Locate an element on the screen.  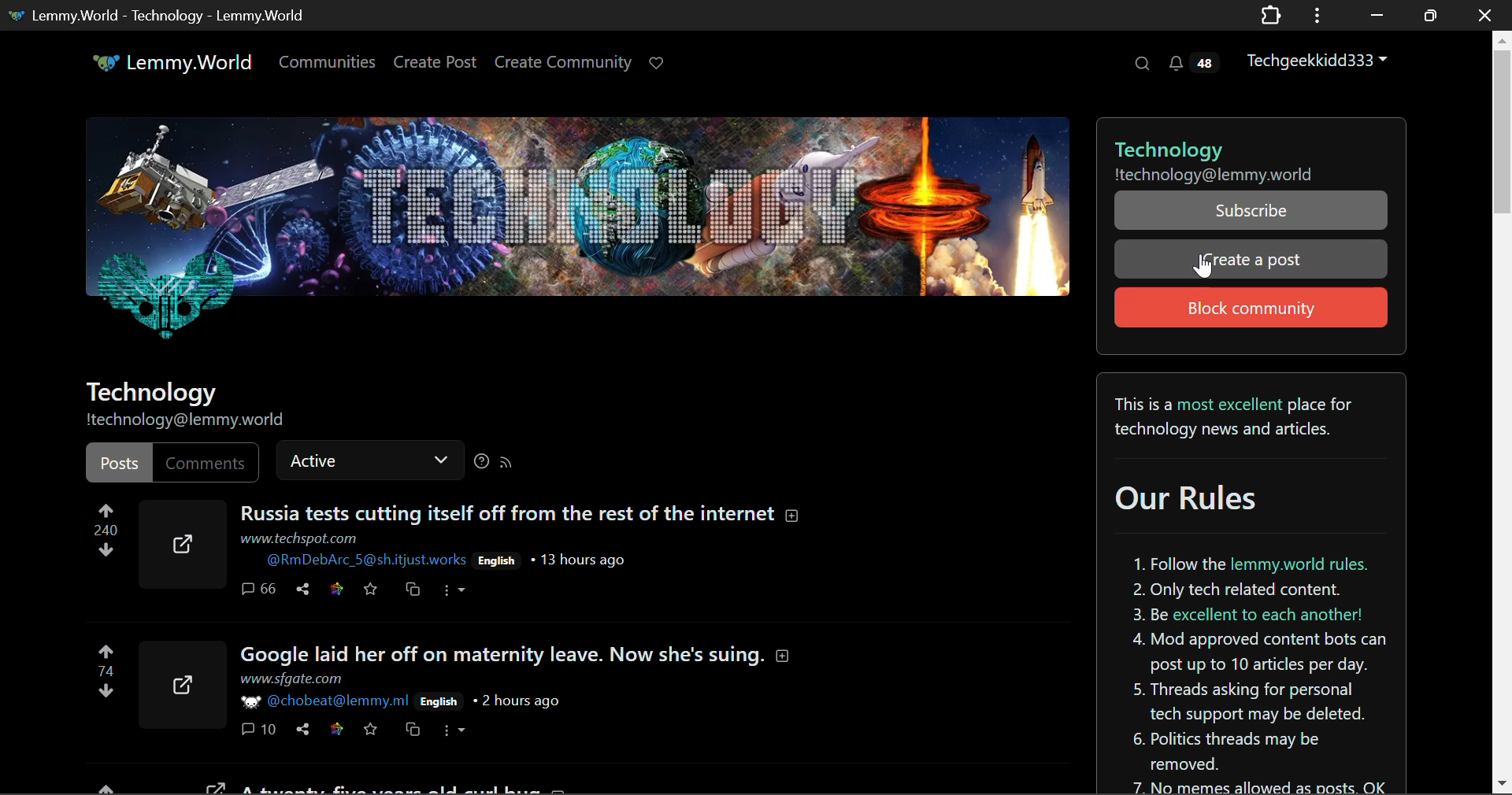
Share is located at coordinates (306, 728).